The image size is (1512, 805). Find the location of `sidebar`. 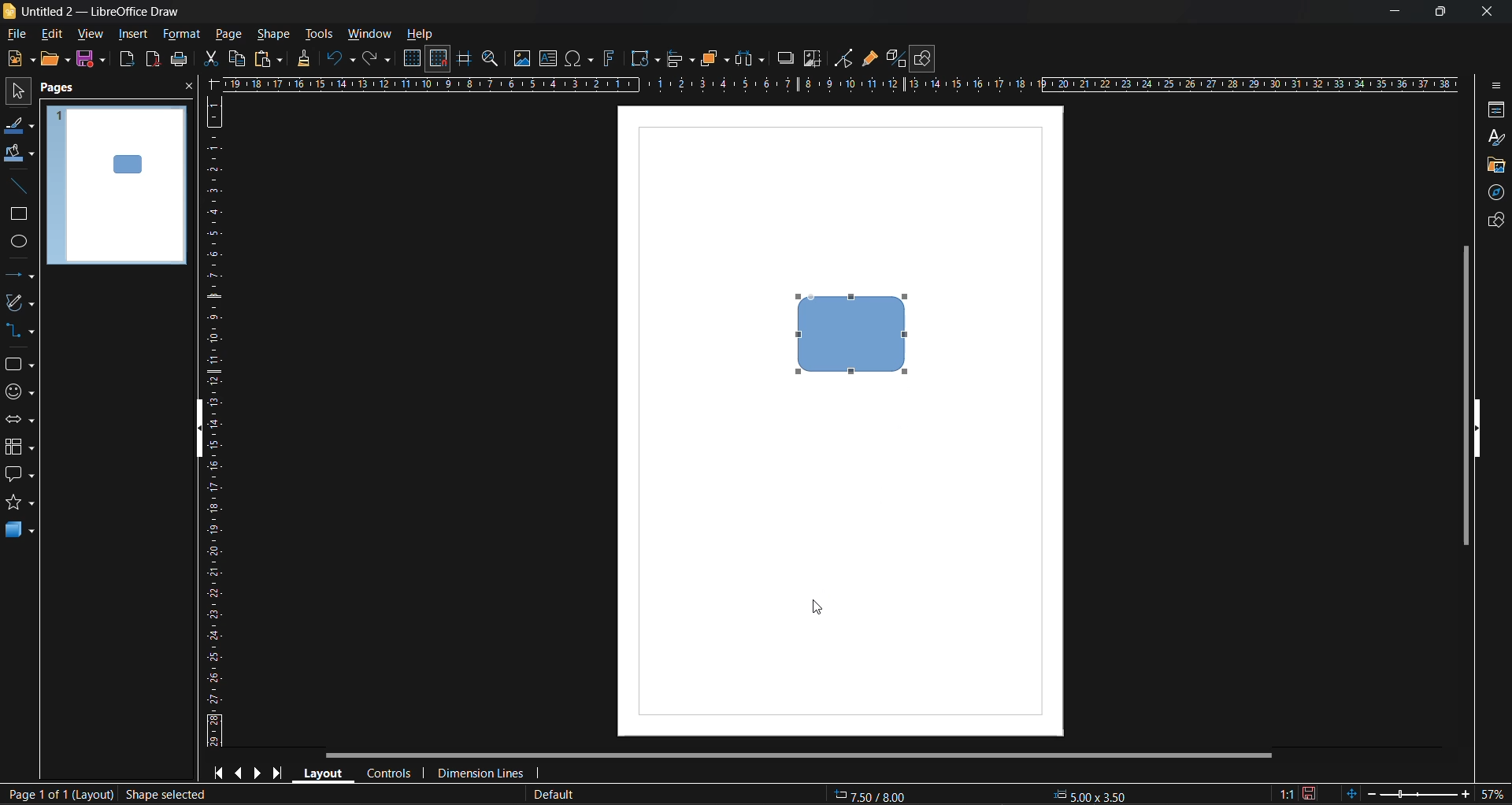

sidebar is located at coordinates (1494, 88).